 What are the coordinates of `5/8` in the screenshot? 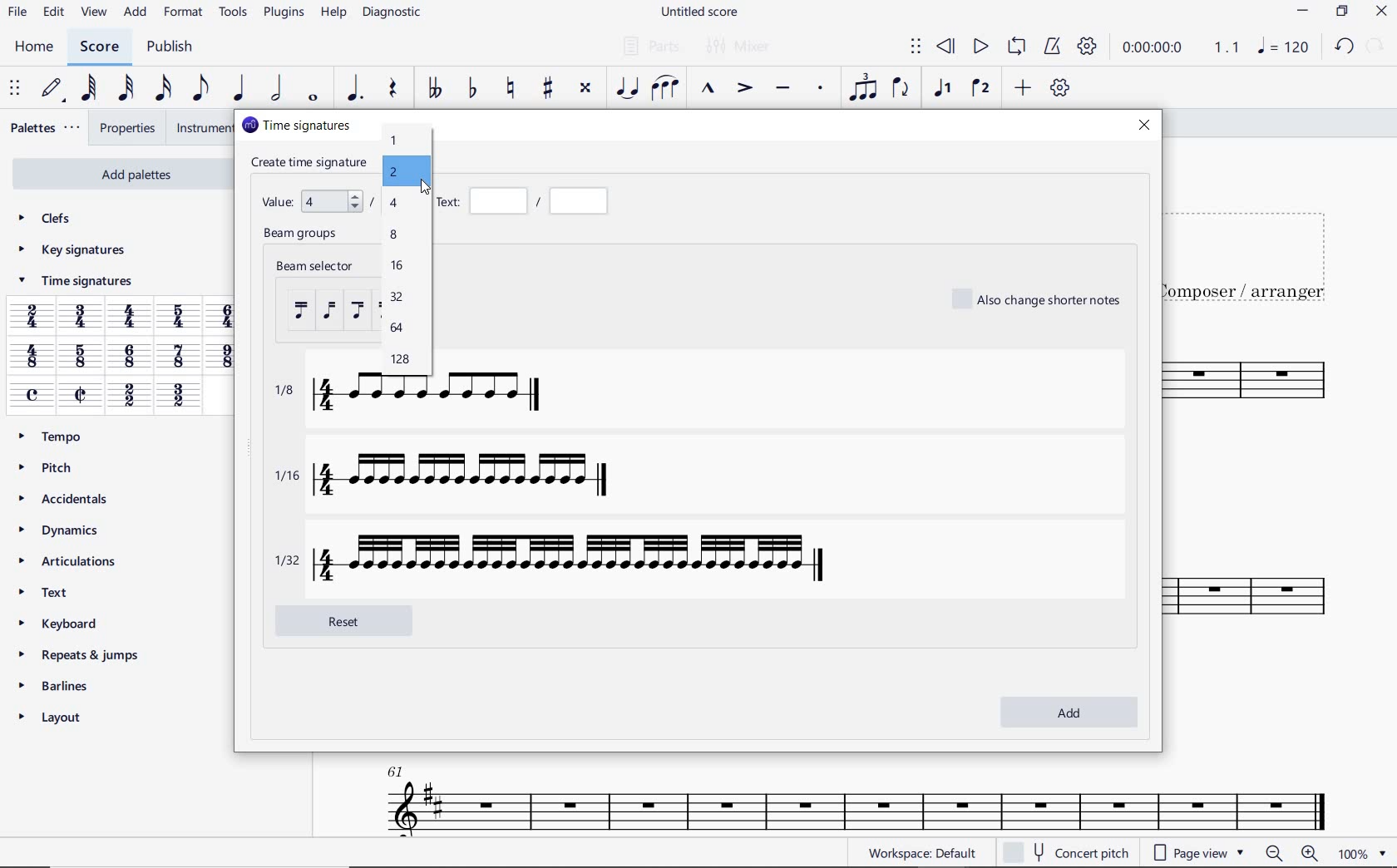 It's located at (79, 358).